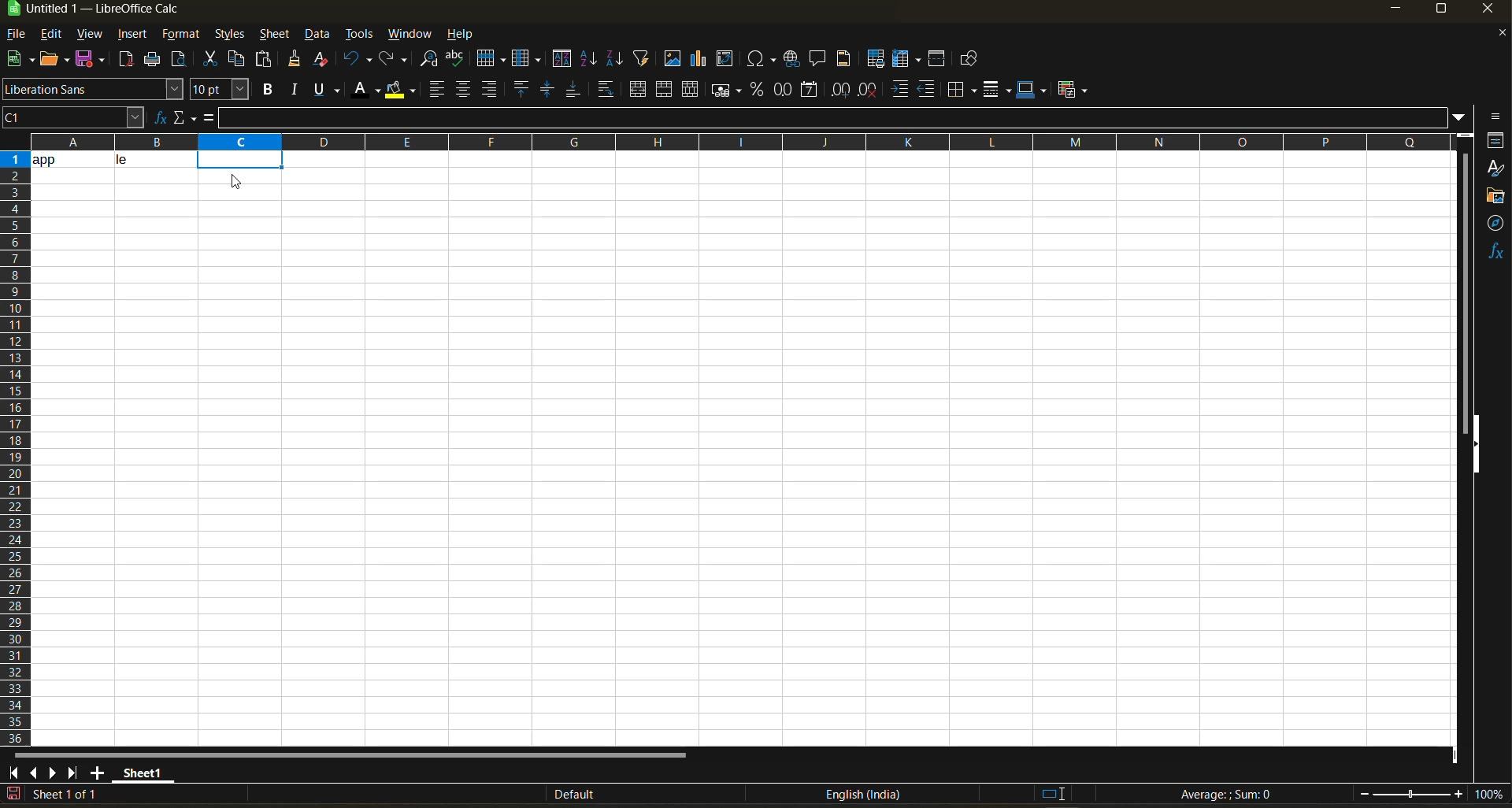 The height and width of the screenshot is (808, 1512). What do you see at coordinates (411, 34) in the screenshot?
I see `window` at bounding box center [411, 34].